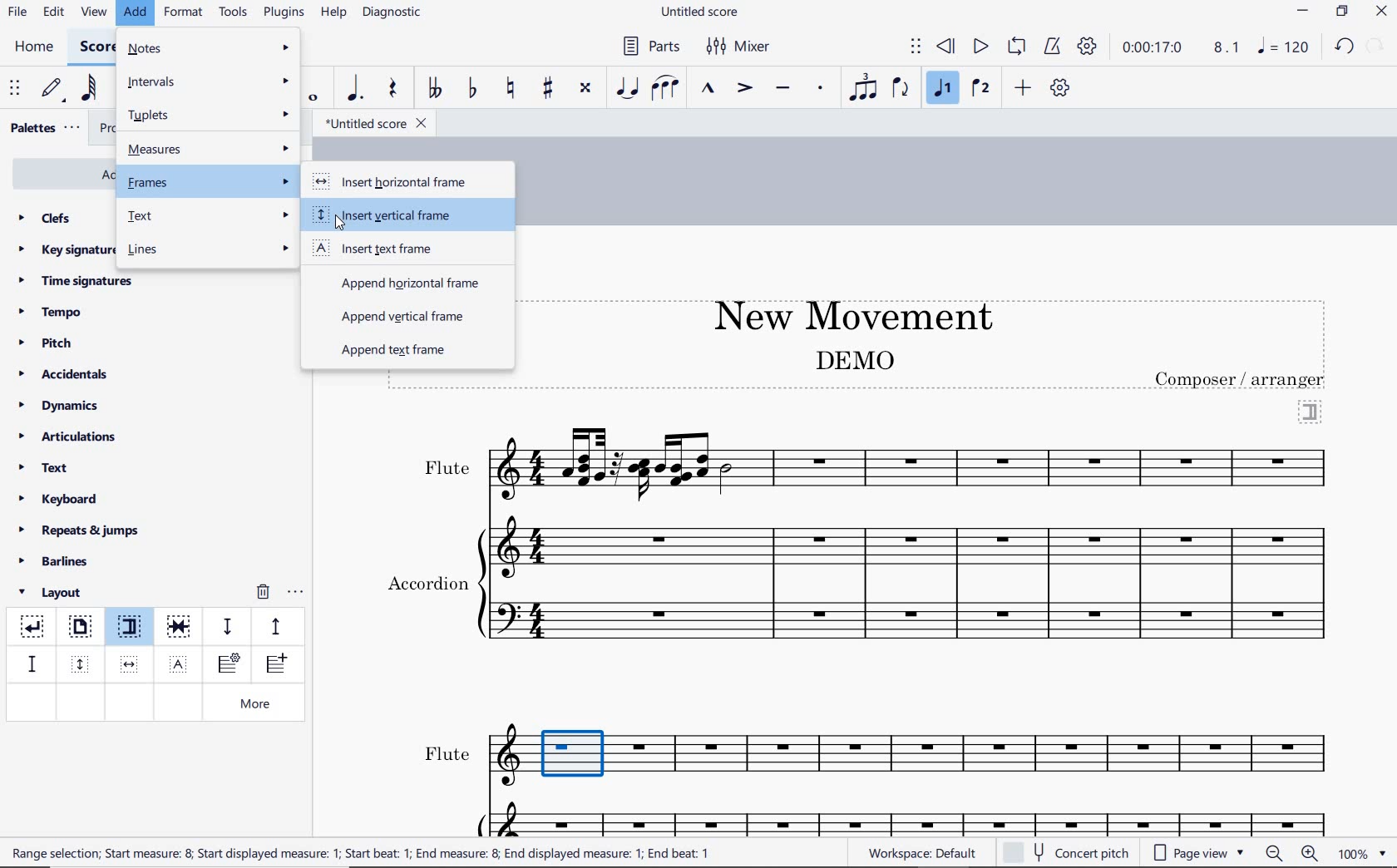  Describe the element at coordinates (33, 624) in the screenshot. I see `system break` at that location.